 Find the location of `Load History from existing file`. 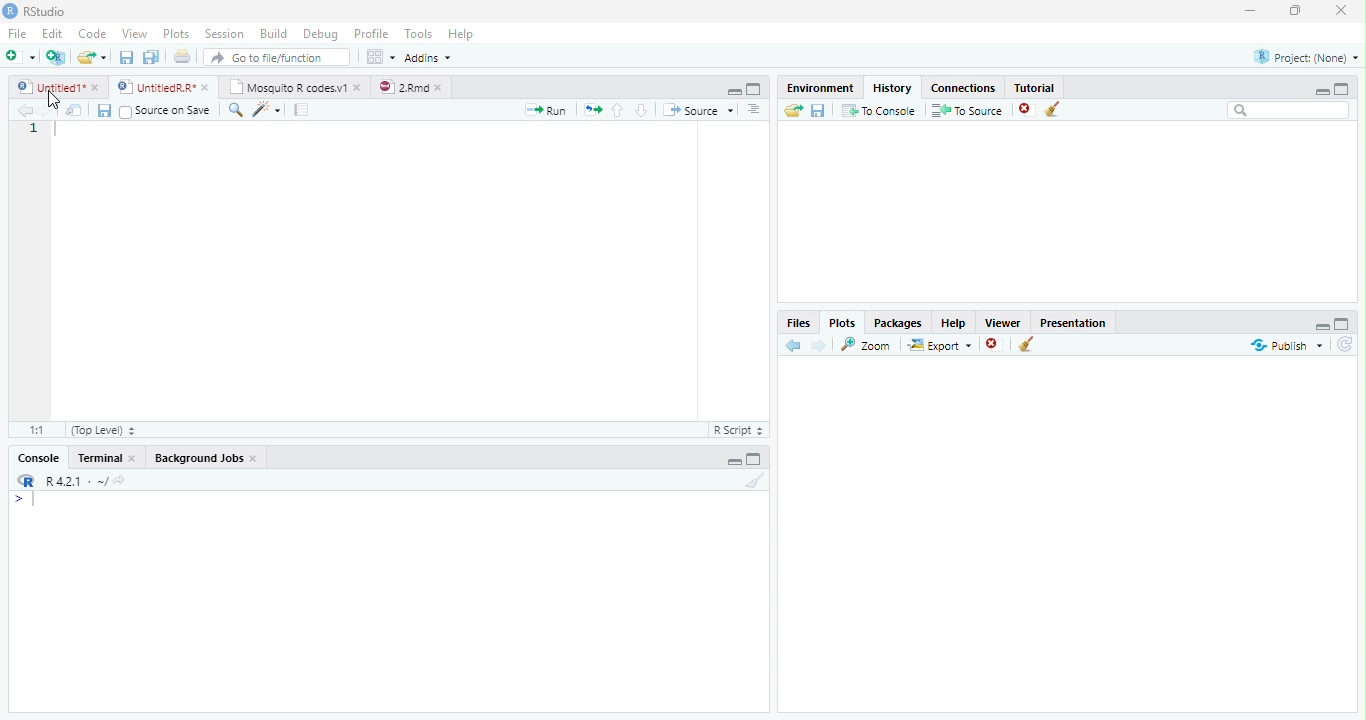

Load History from existing file is located at coordinates (793, 110).